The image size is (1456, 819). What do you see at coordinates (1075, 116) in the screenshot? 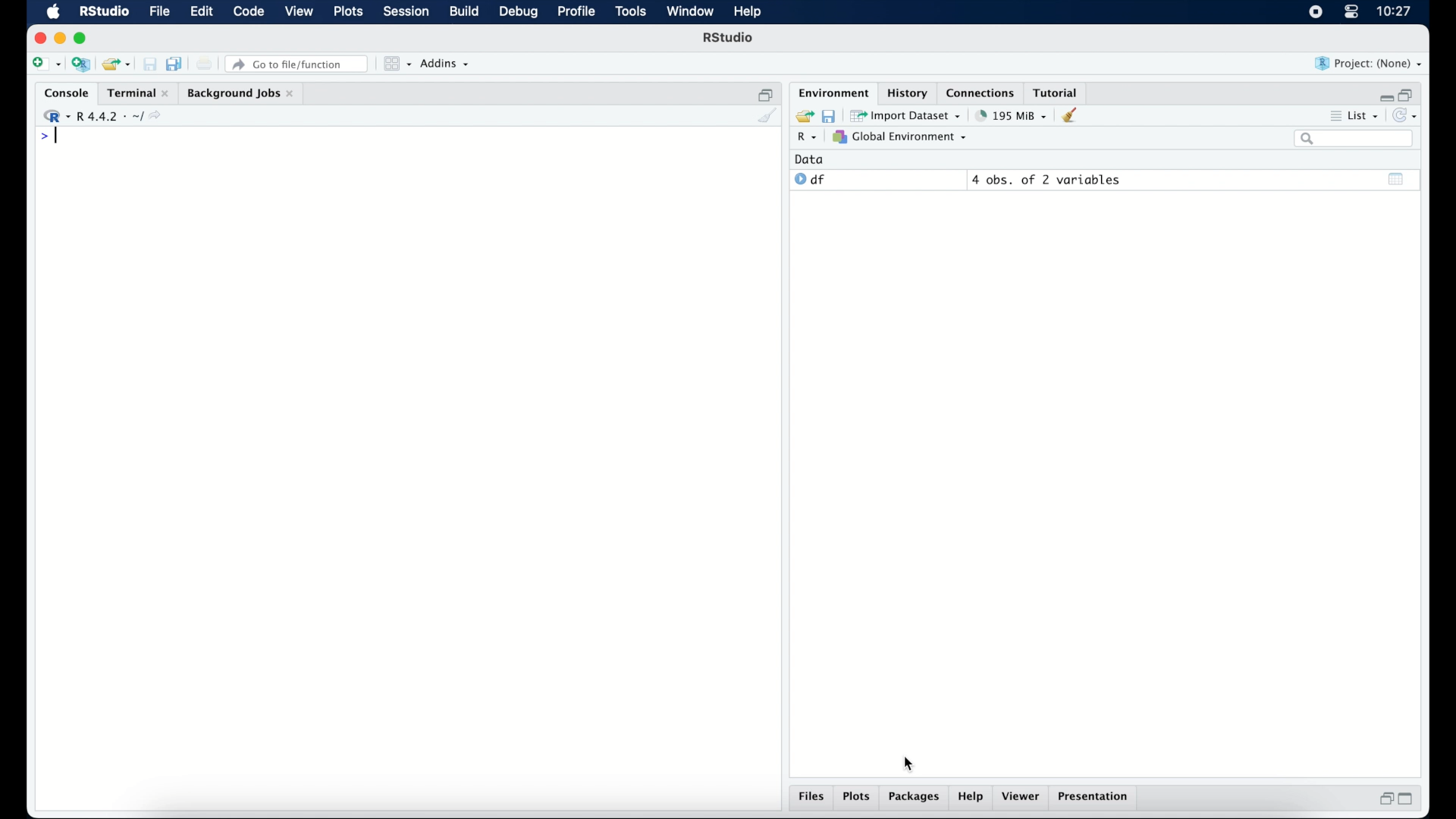
I see `clear workspace` at bounding box center [1075, 116].